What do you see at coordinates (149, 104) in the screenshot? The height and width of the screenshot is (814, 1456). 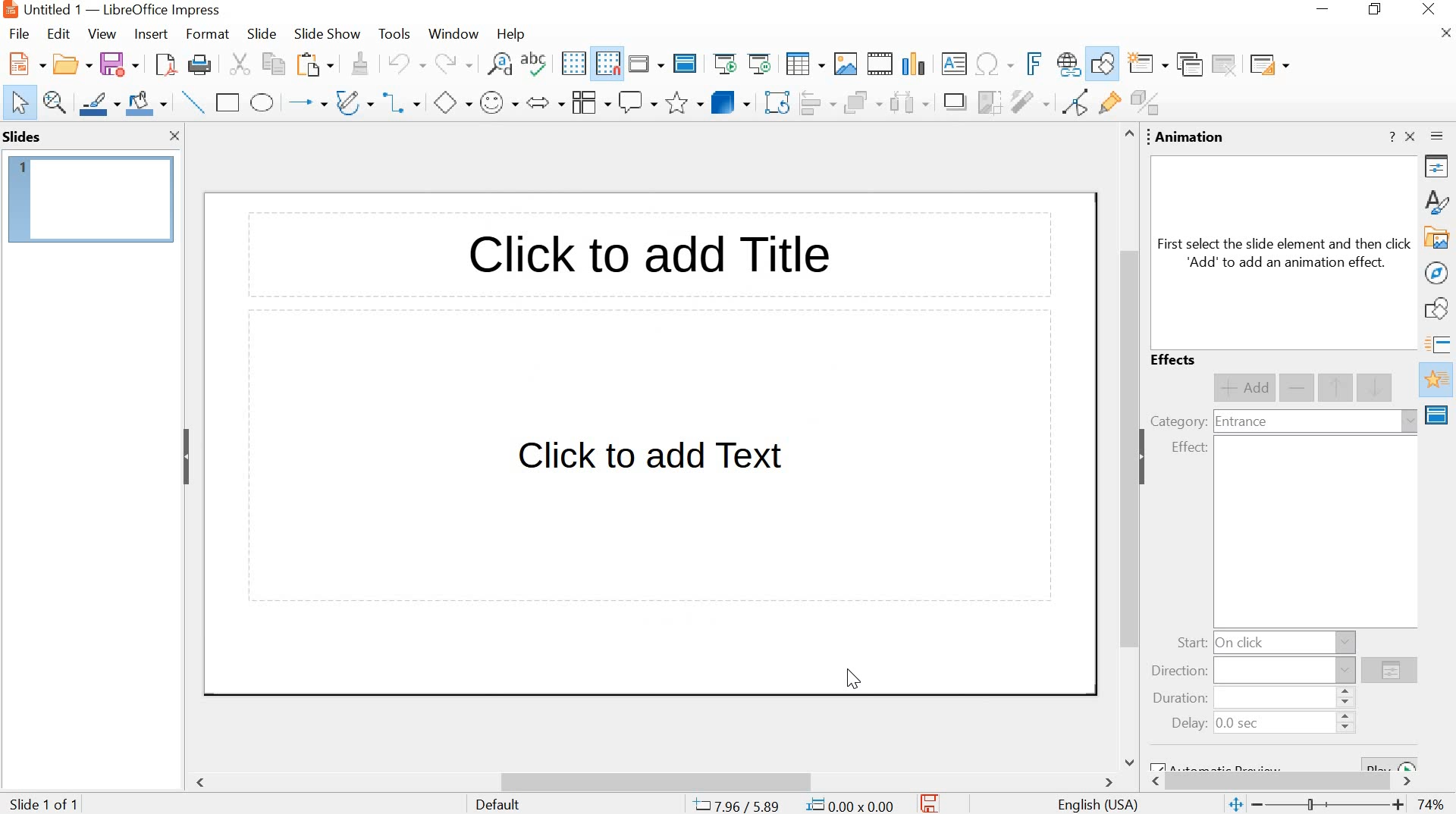 I see `fill color` at bounding box center [149, 104].